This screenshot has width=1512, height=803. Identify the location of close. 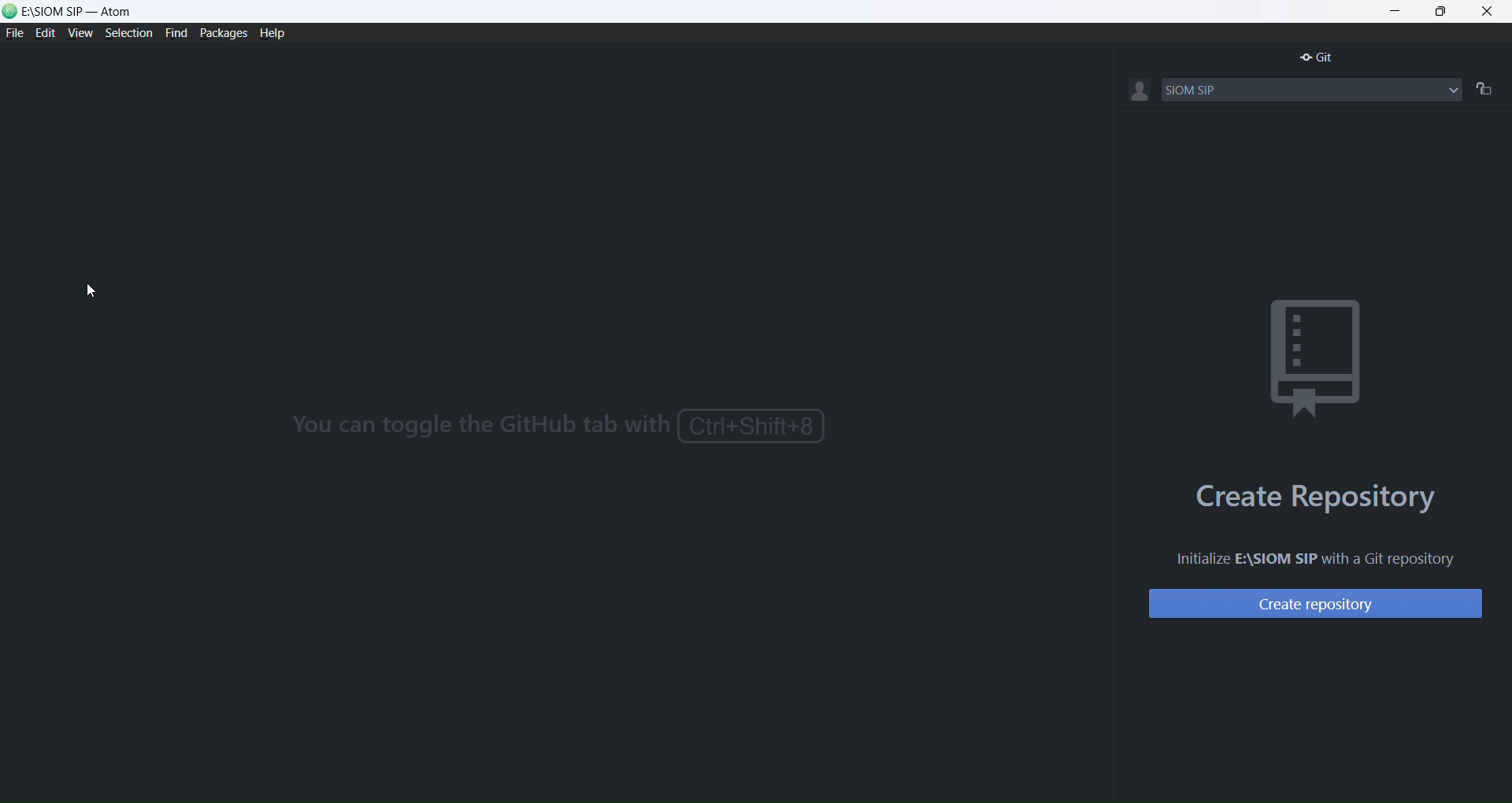
(1491, 12).